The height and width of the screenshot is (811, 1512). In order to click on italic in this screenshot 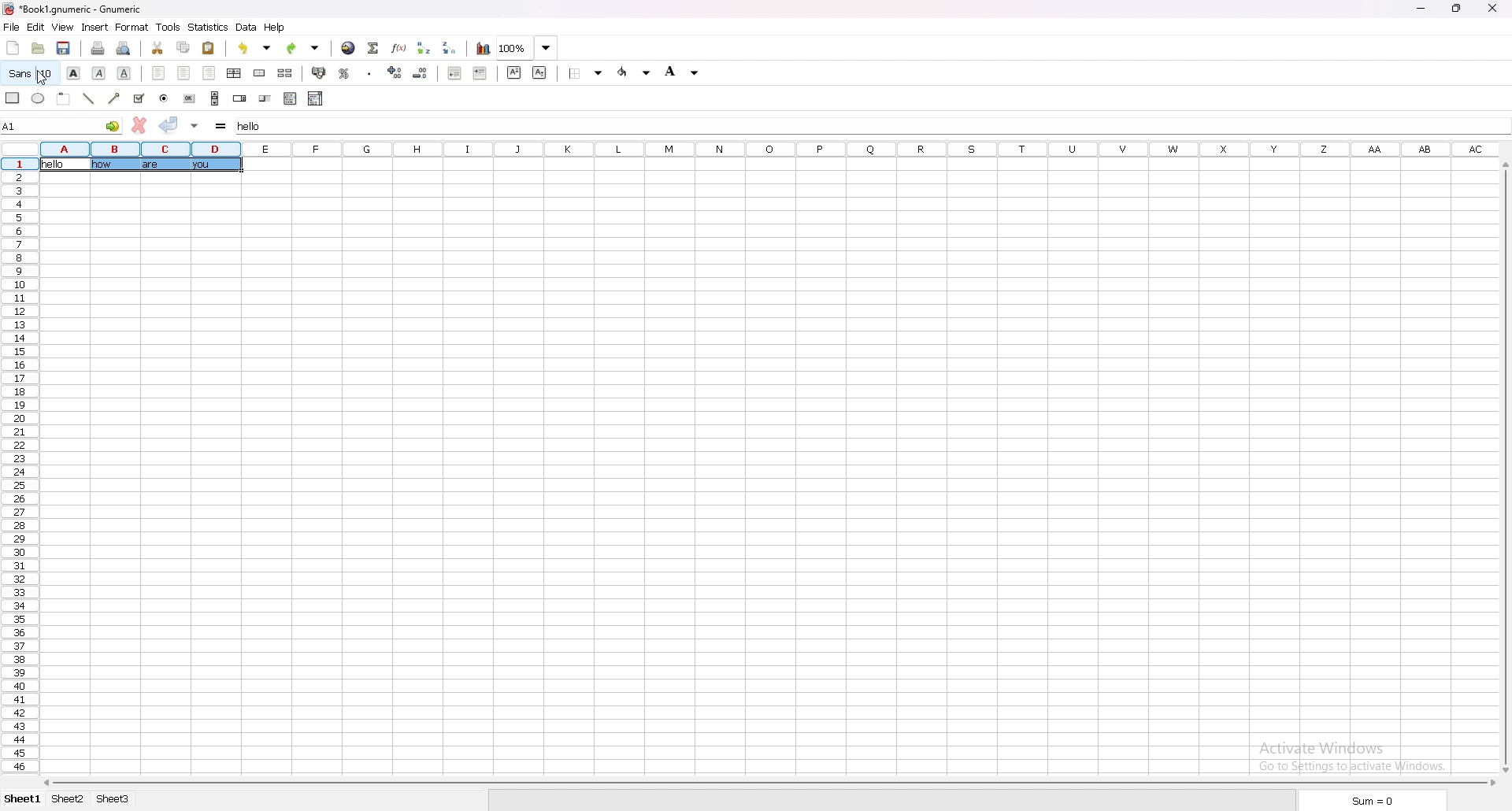, I will do `click(98, 72)`.